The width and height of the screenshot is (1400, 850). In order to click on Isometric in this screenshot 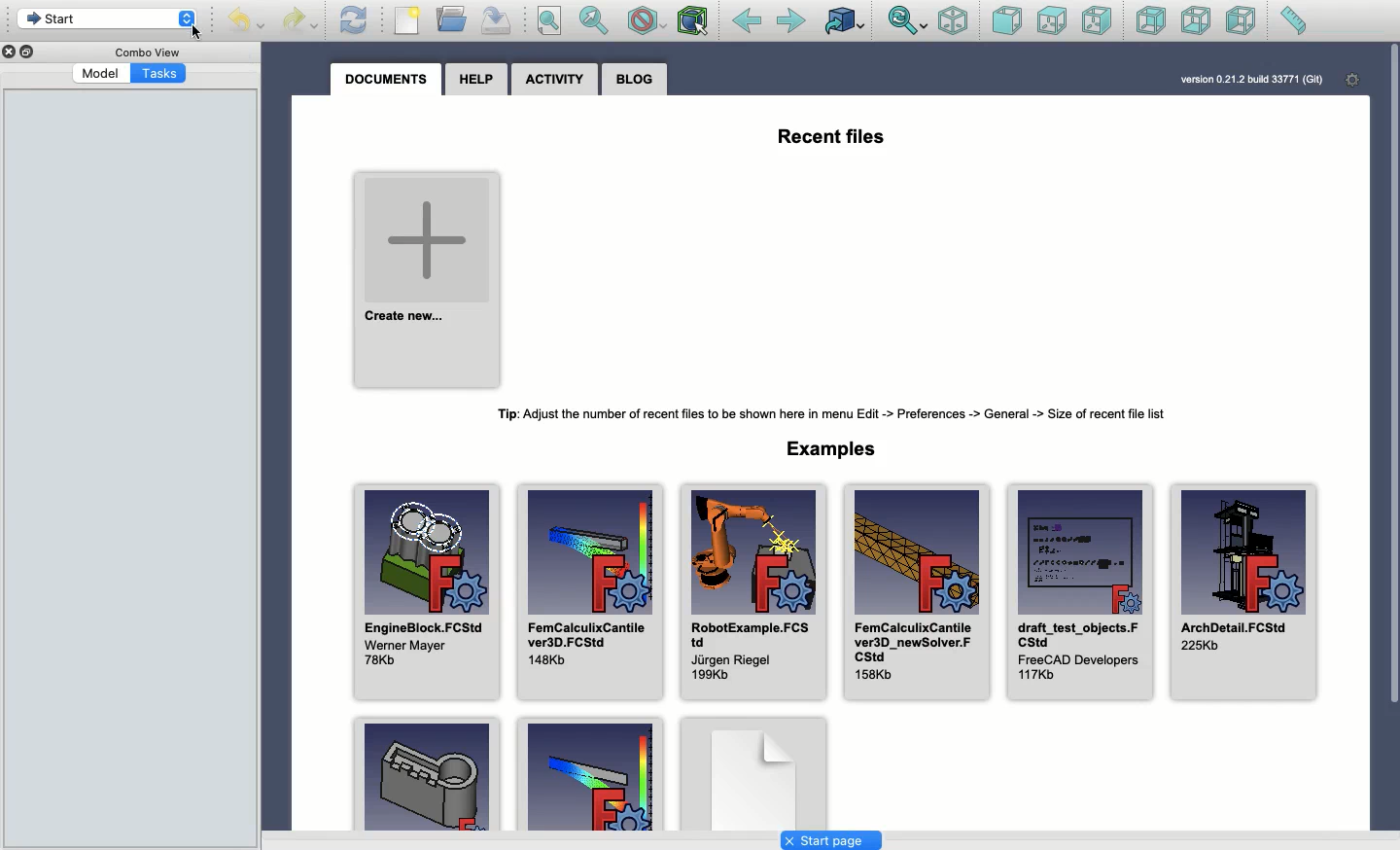, I will do `click(952, 22)`.